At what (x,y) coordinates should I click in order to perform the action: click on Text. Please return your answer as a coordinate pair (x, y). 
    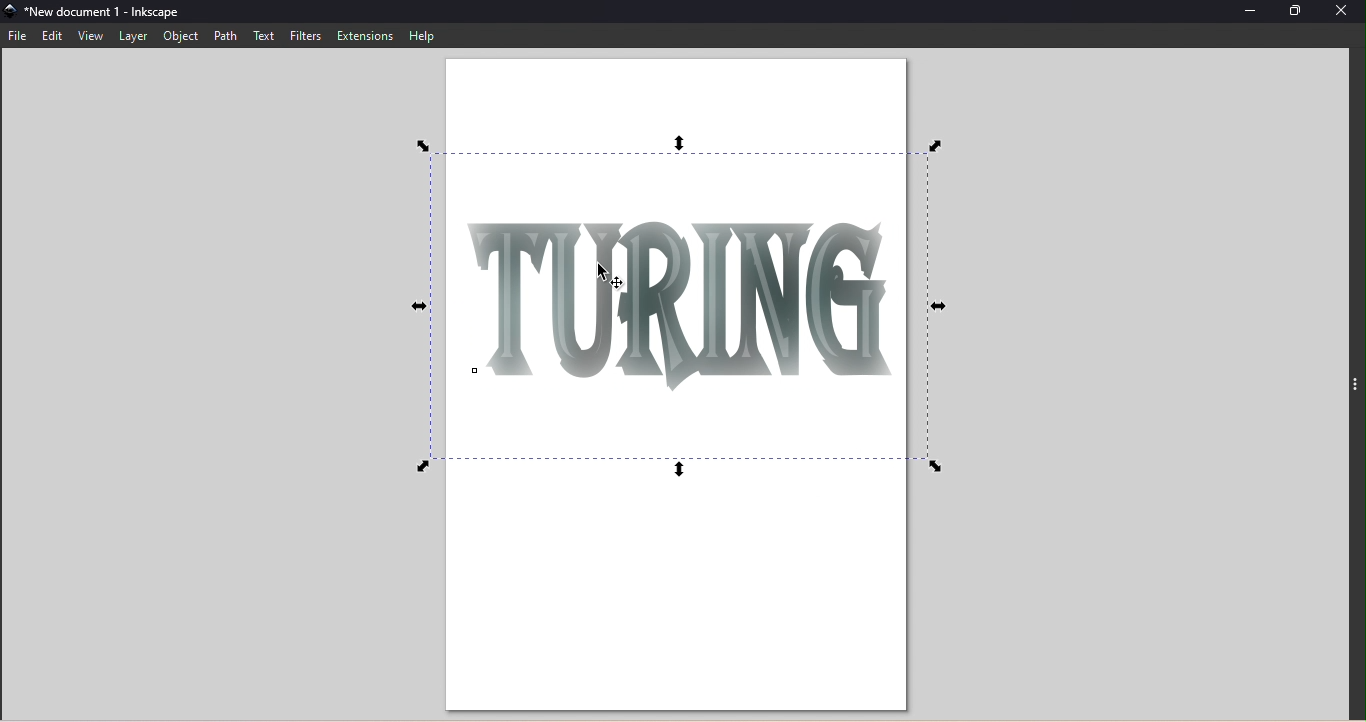
    Looking at the image, I should click on (262, 35).